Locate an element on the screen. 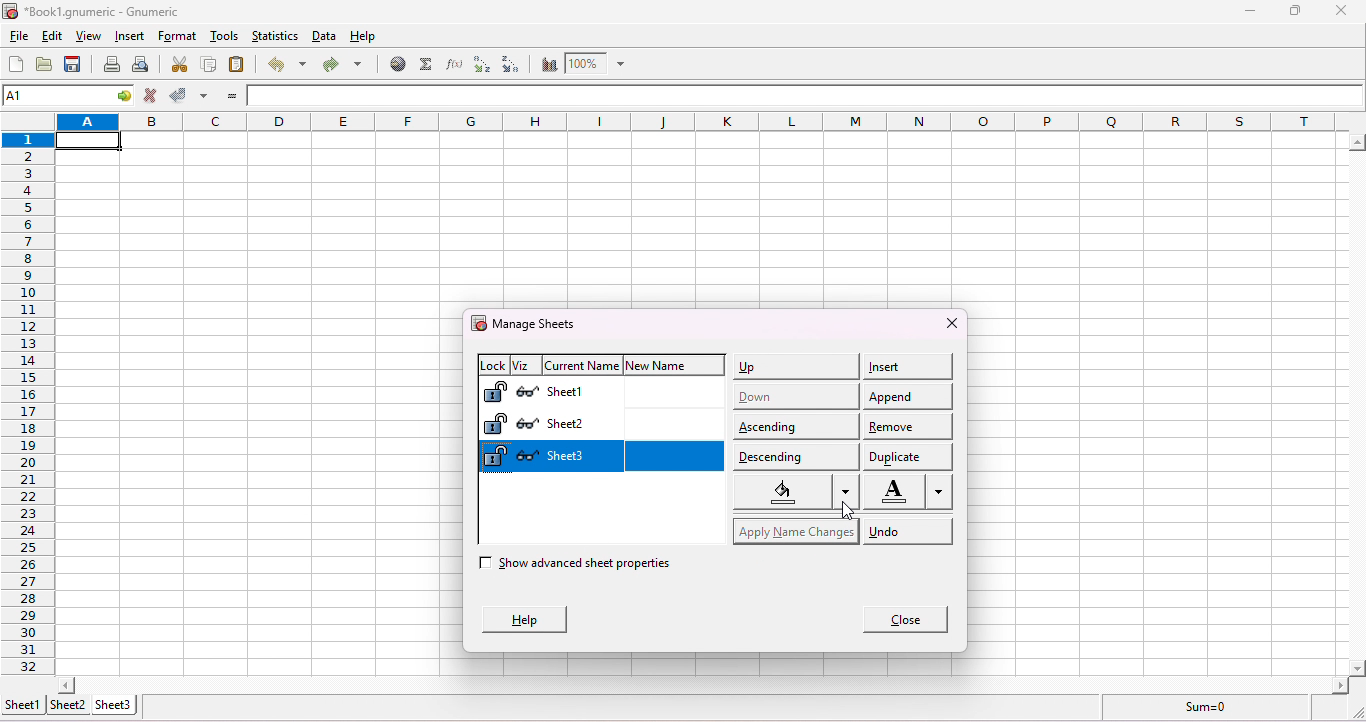  sheet 2 is located at coordinates (634, 424).